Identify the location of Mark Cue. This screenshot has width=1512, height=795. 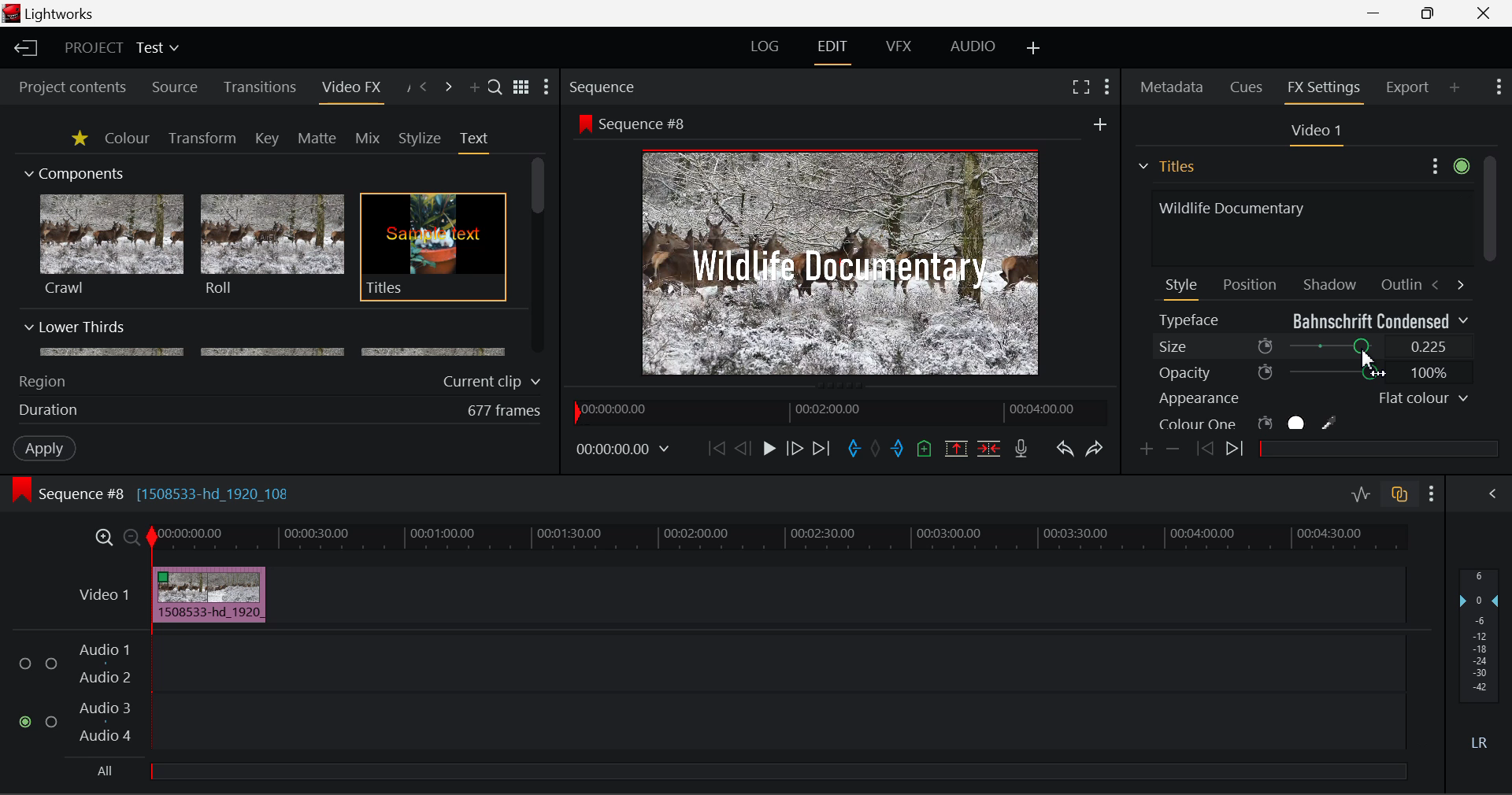
(926, 450).